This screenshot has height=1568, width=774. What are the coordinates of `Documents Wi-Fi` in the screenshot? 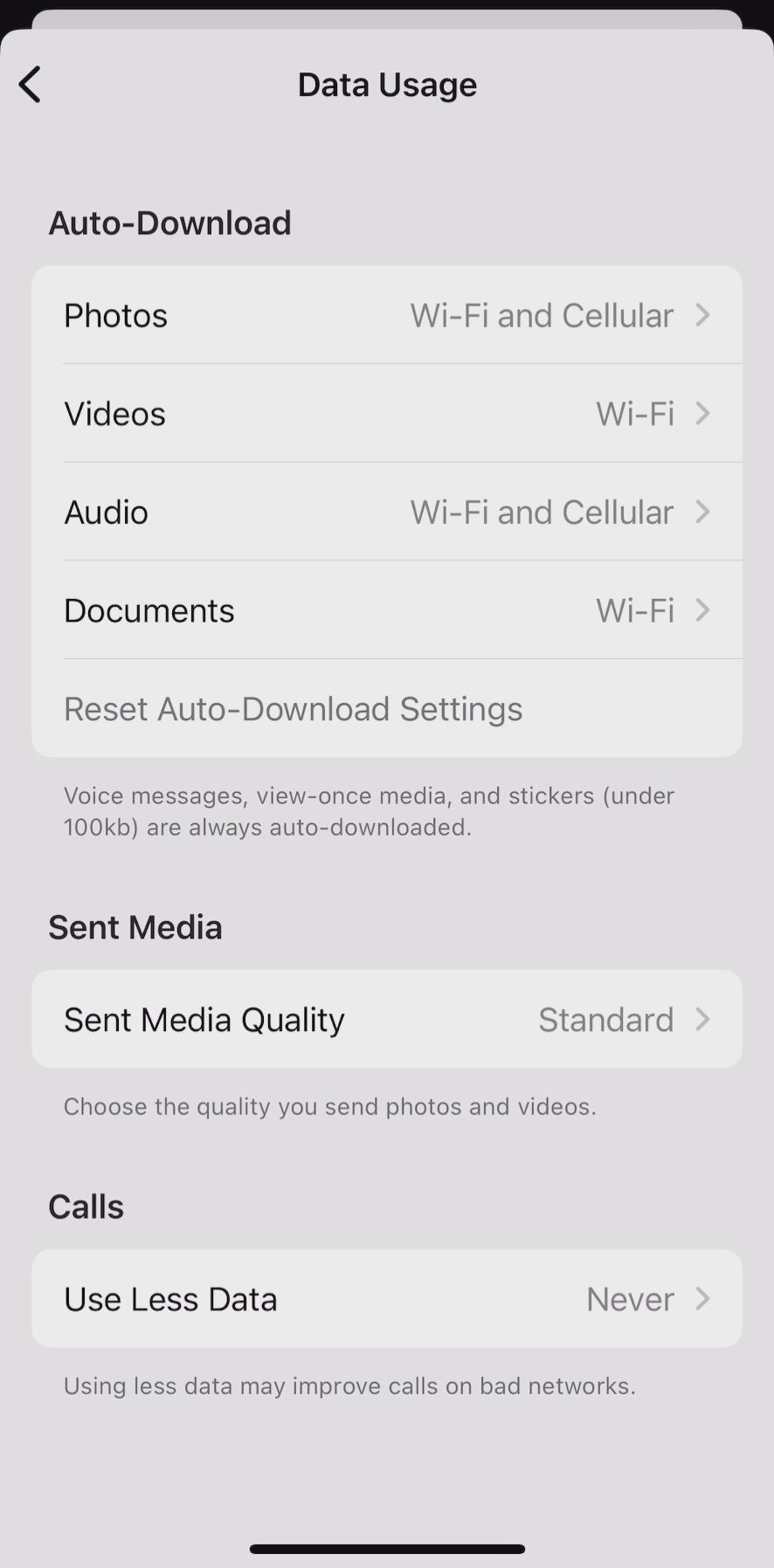 It's located at (390, 609).